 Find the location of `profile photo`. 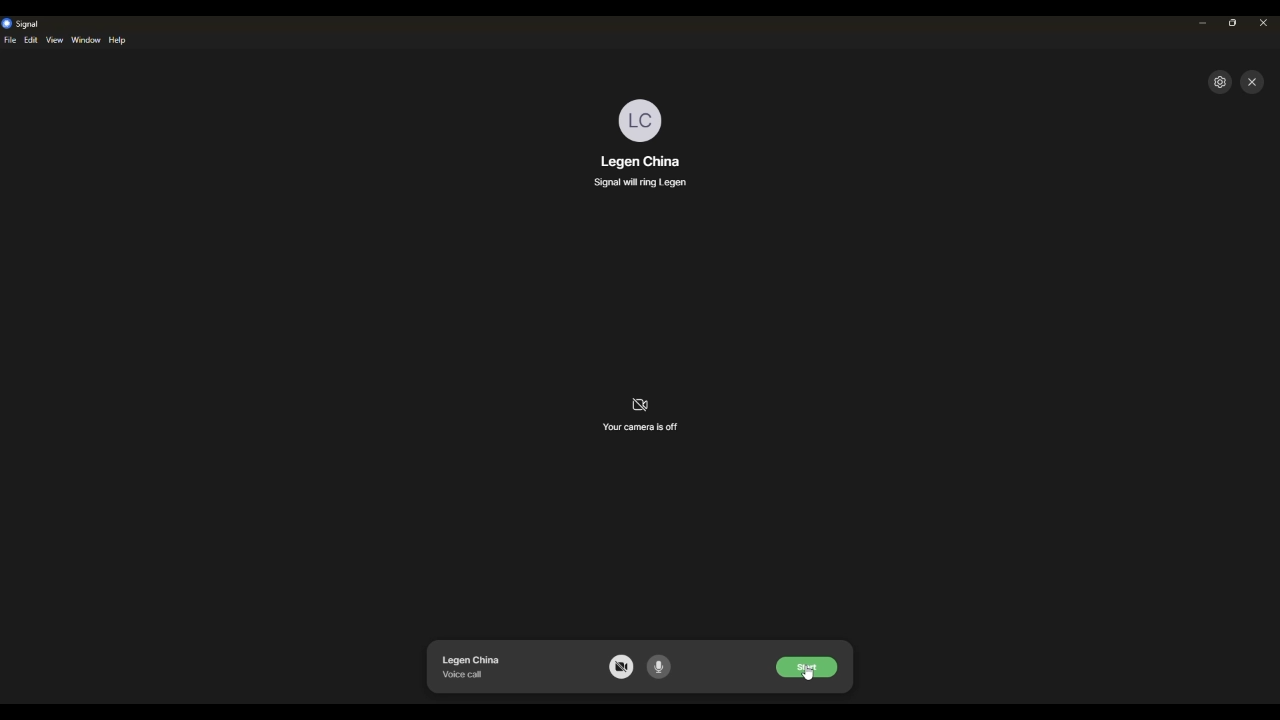

profile photo is located at coordinates (644, 119).